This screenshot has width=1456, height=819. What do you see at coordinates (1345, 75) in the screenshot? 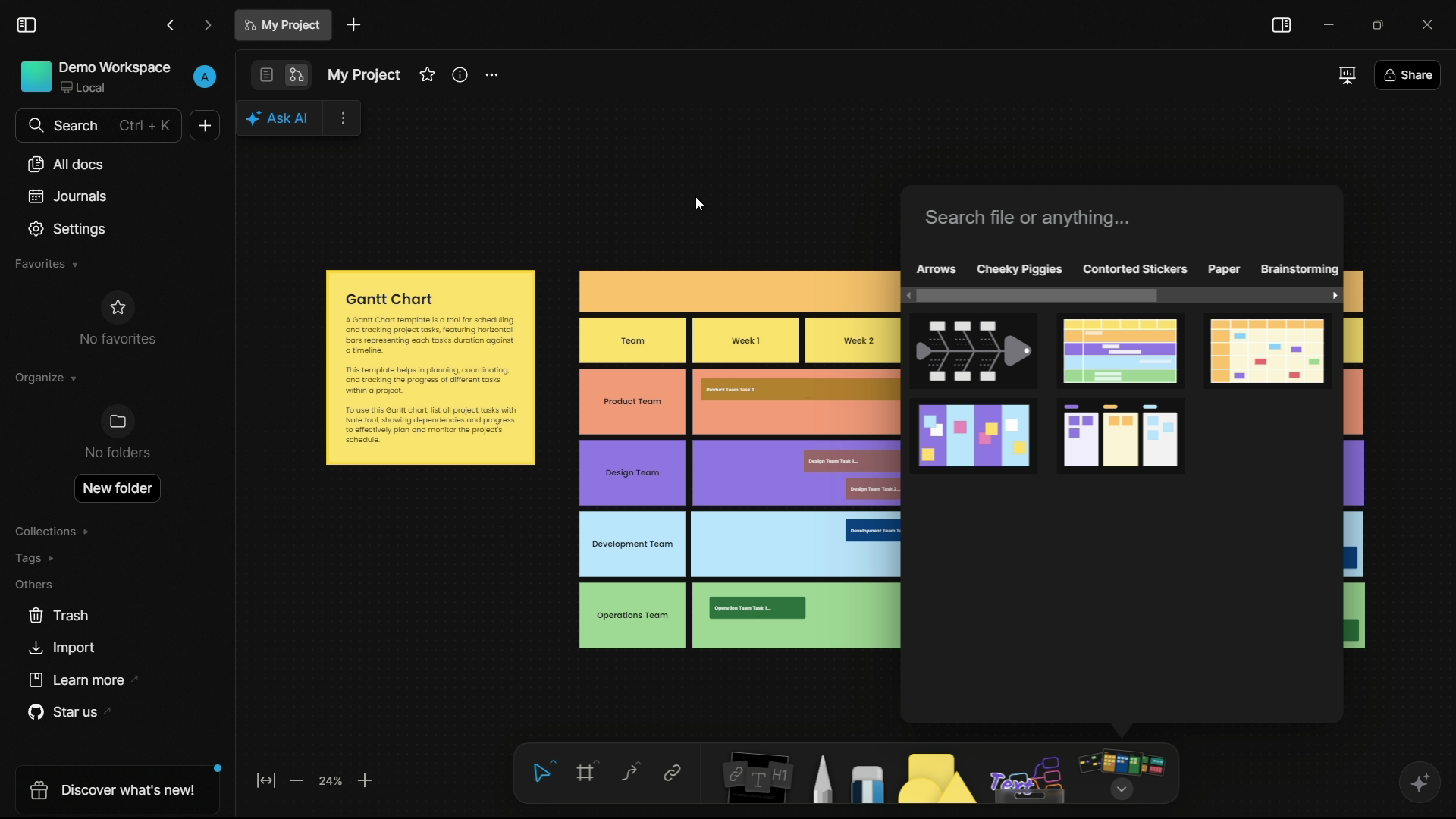
I see `full screen` at bounding box center [1345, 75].